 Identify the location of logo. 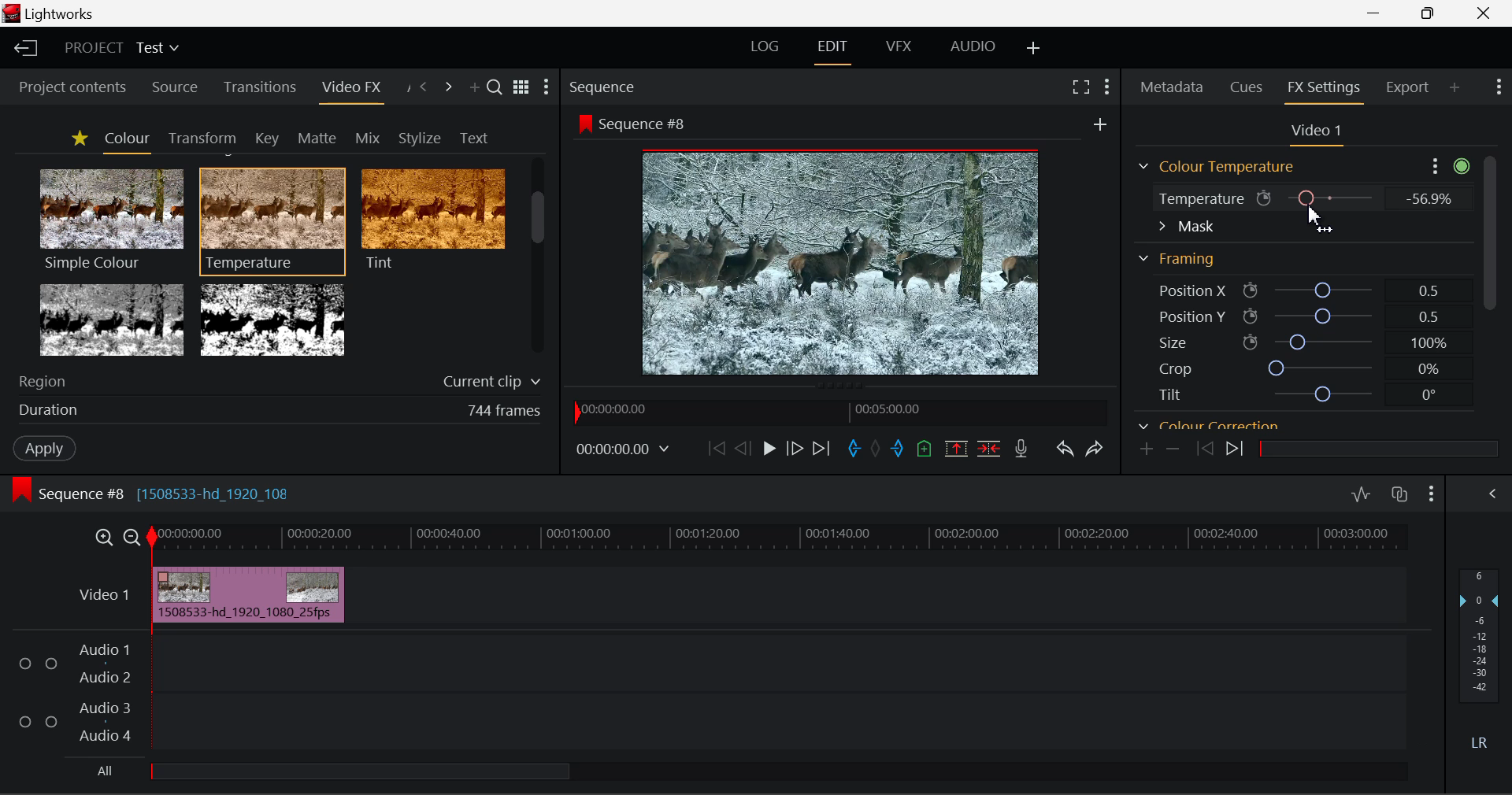
(11, 13).